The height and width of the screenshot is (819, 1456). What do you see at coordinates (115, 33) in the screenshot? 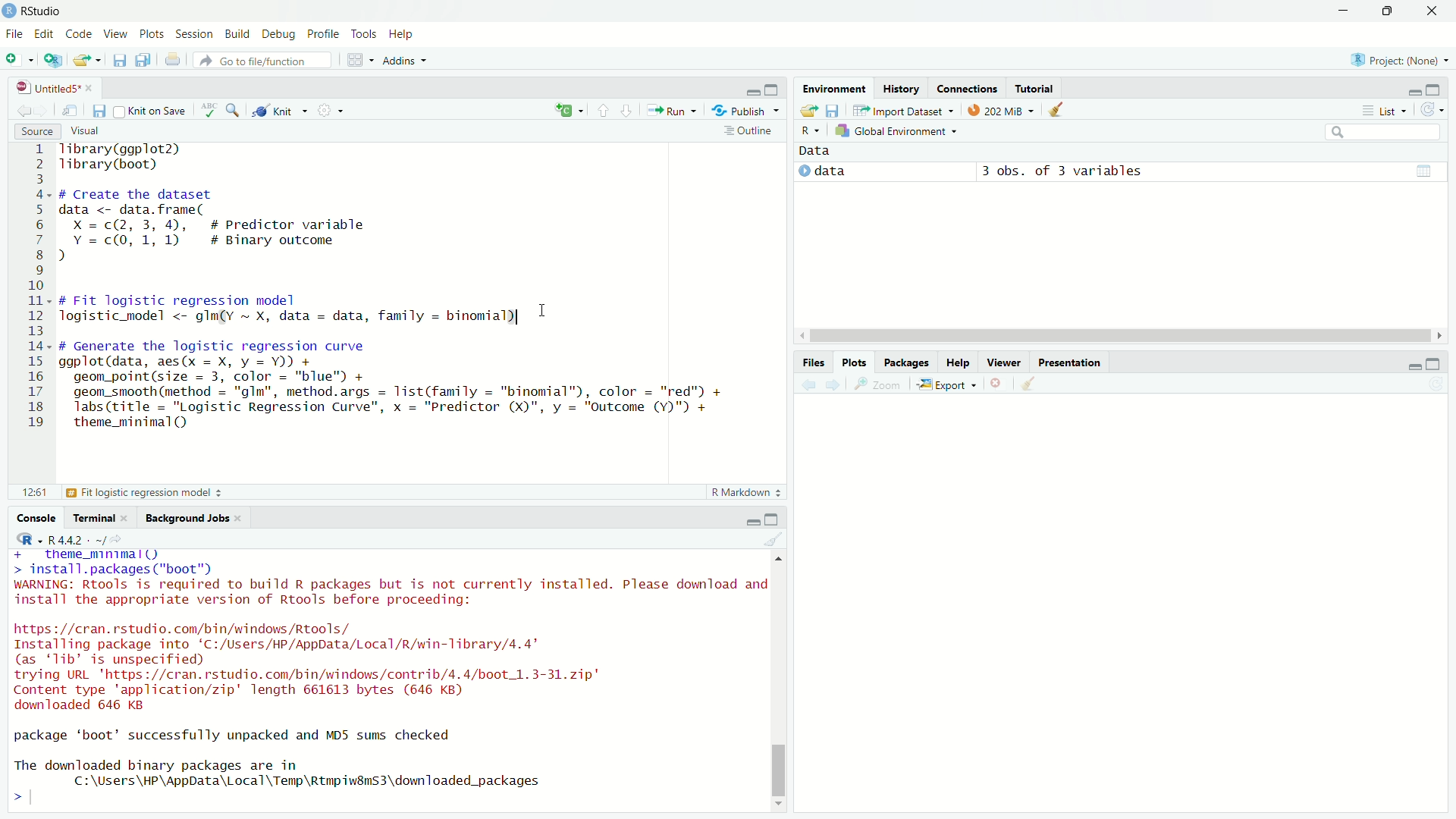
I see `View` at bounding box center [115, 33].